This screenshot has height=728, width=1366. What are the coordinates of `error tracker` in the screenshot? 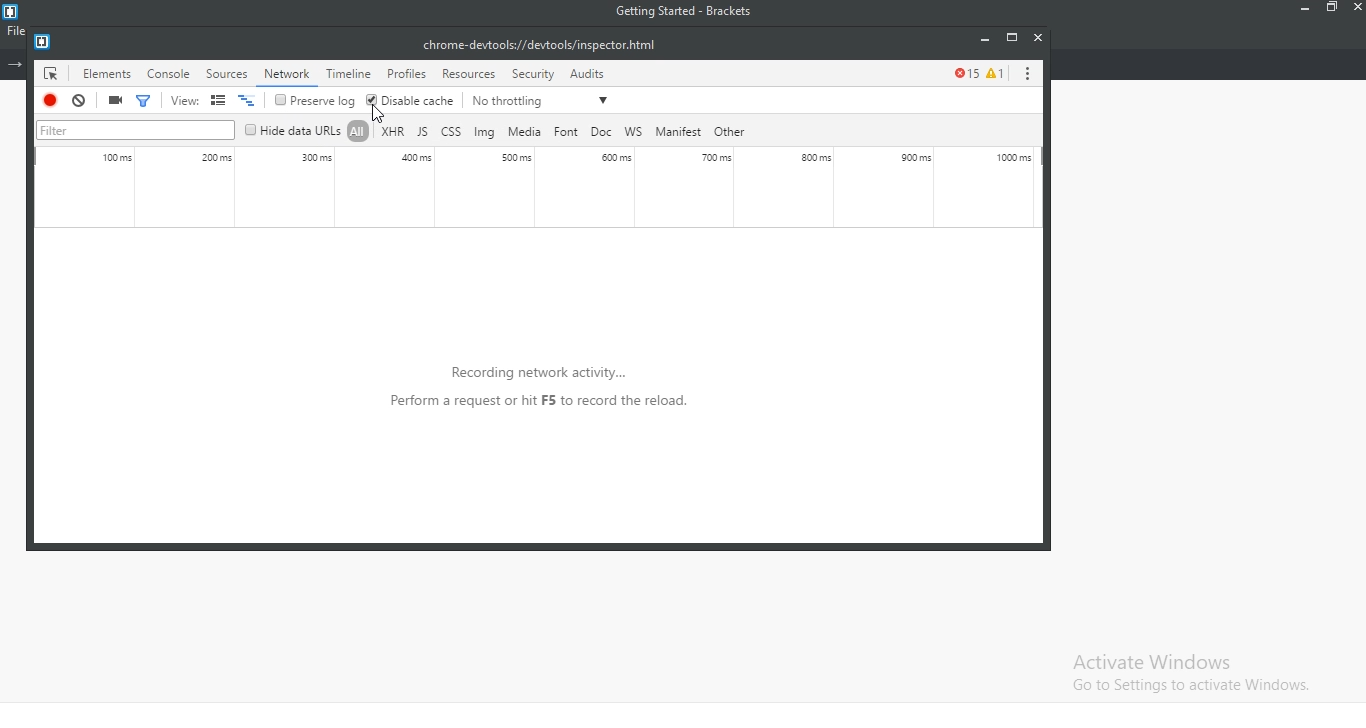 It's located at (978, 72).